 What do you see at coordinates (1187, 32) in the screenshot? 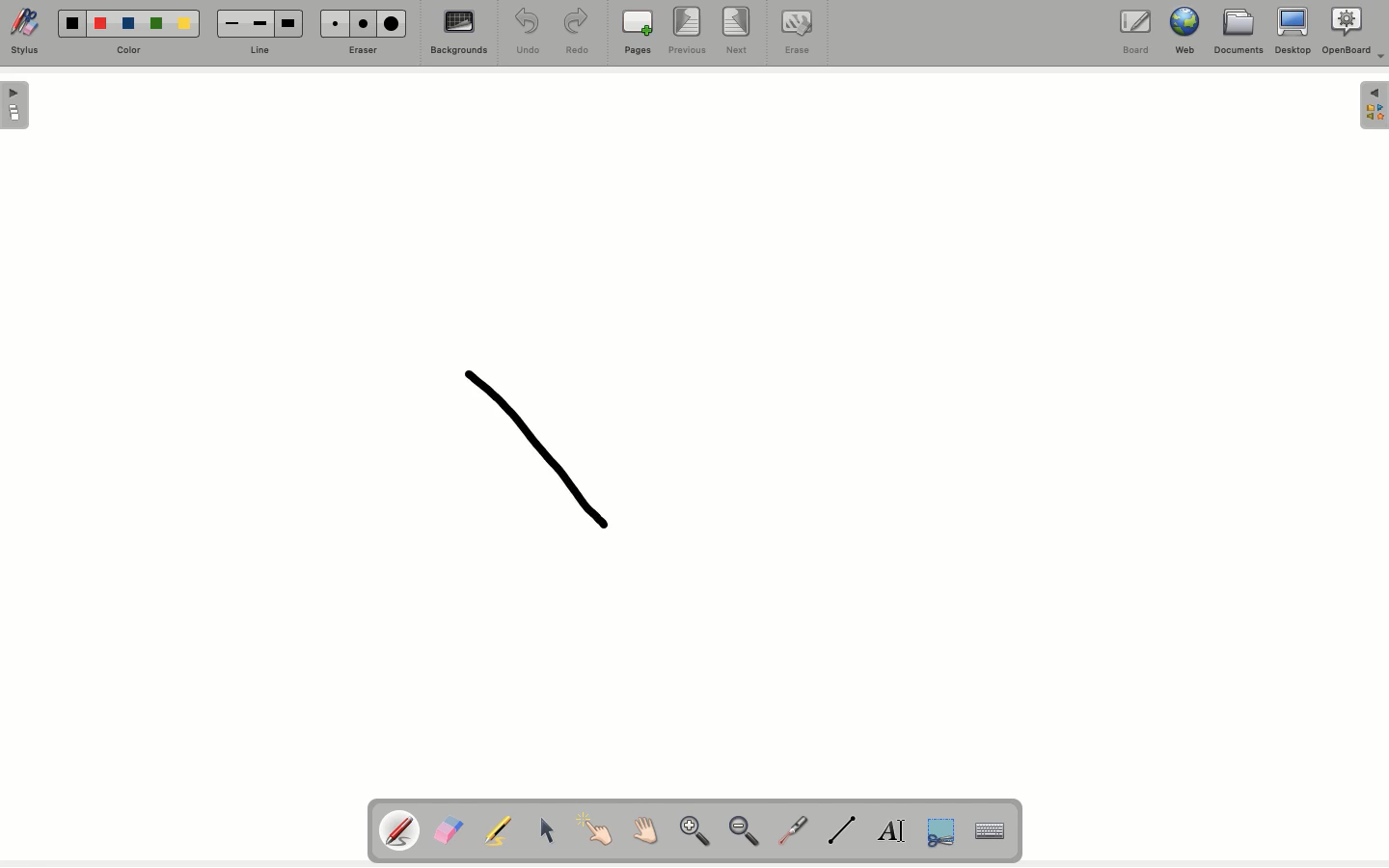
I see `Web` at bounding box center [1187, 32].